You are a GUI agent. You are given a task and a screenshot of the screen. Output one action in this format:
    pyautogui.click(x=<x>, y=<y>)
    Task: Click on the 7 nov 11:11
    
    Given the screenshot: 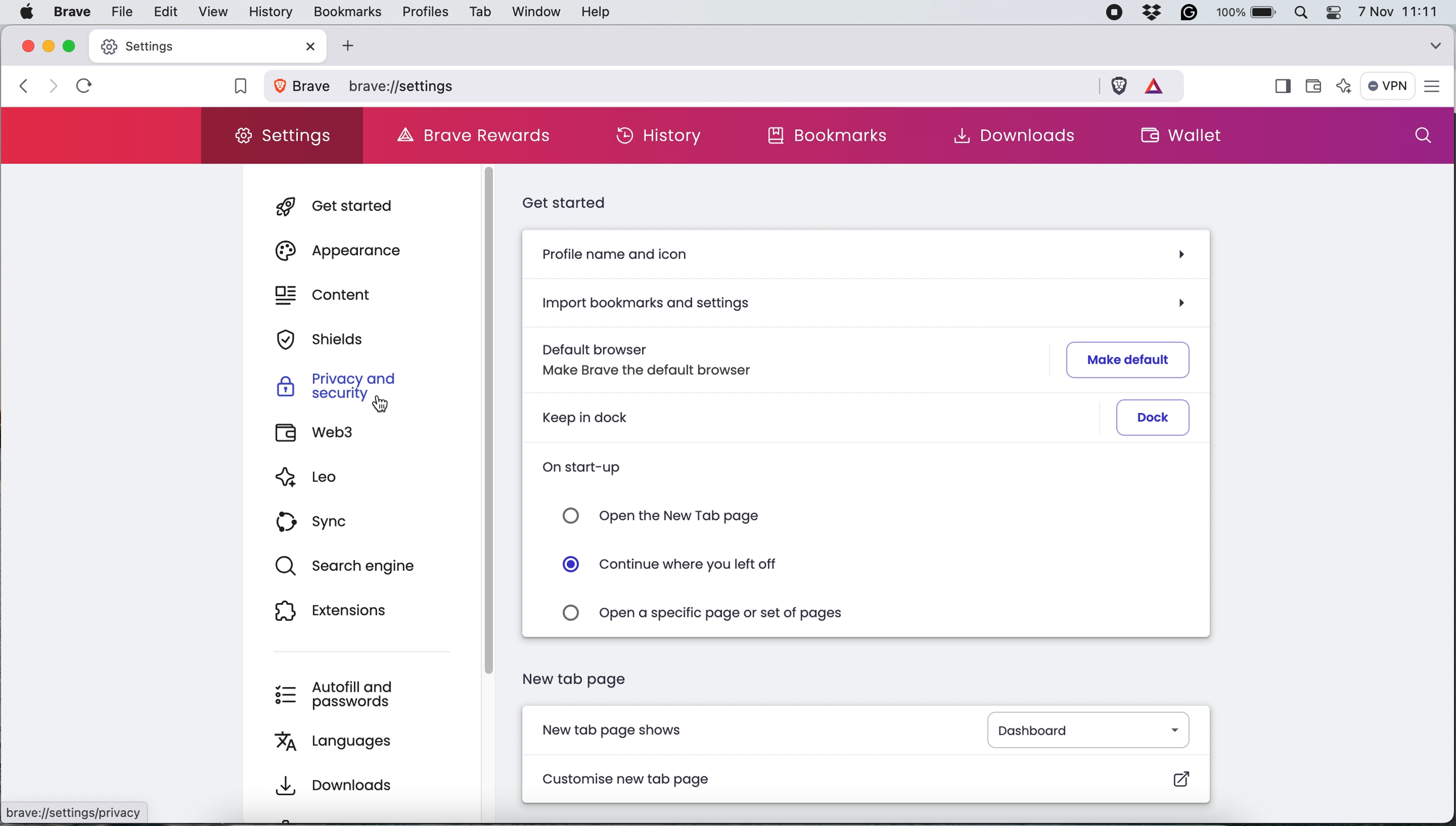 What is the action you would take?
    pyautogui.click(x=1398, y=12)
    